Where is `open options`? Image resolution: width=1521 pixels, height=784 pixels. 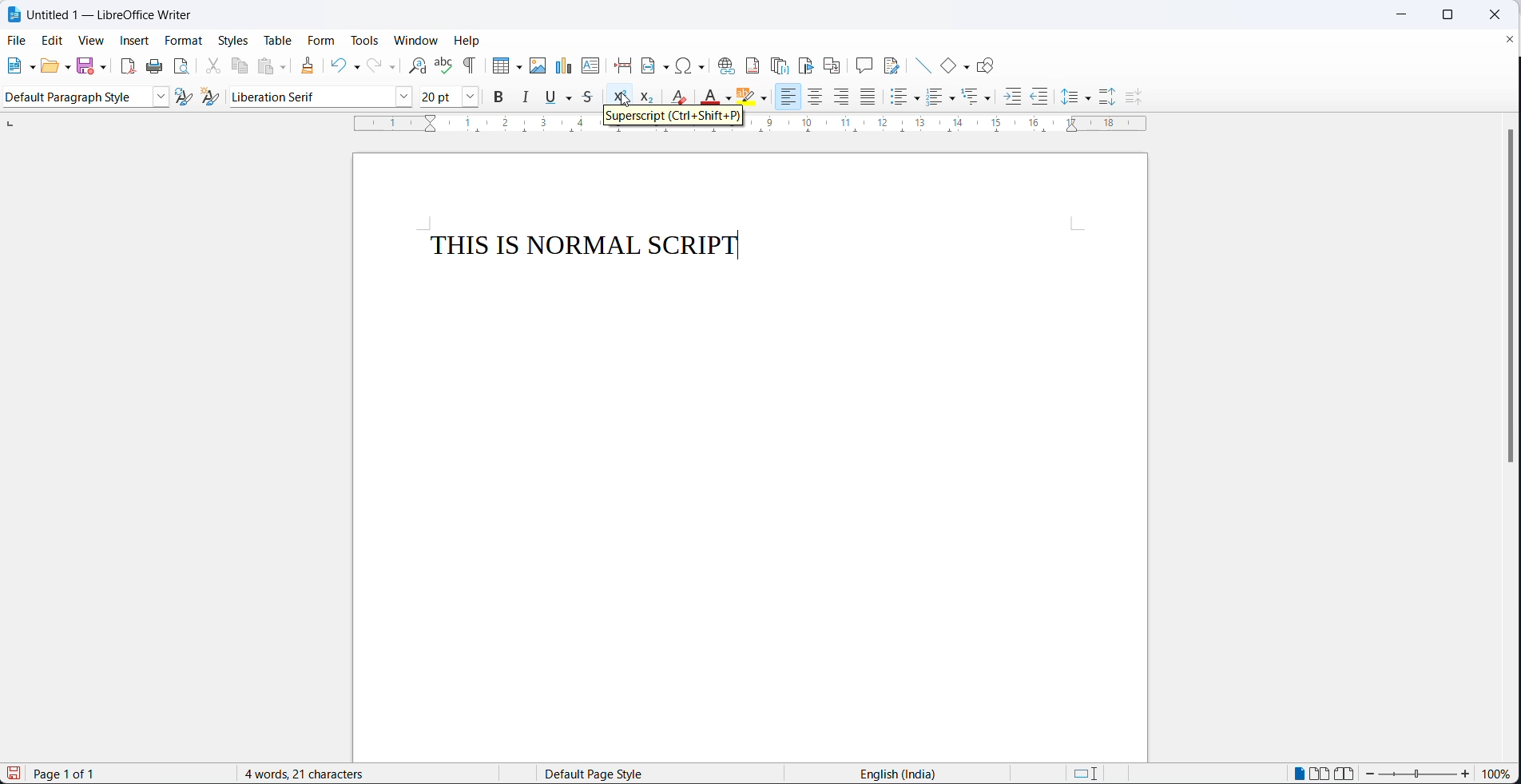
open options is located at coordinates (67, 65).